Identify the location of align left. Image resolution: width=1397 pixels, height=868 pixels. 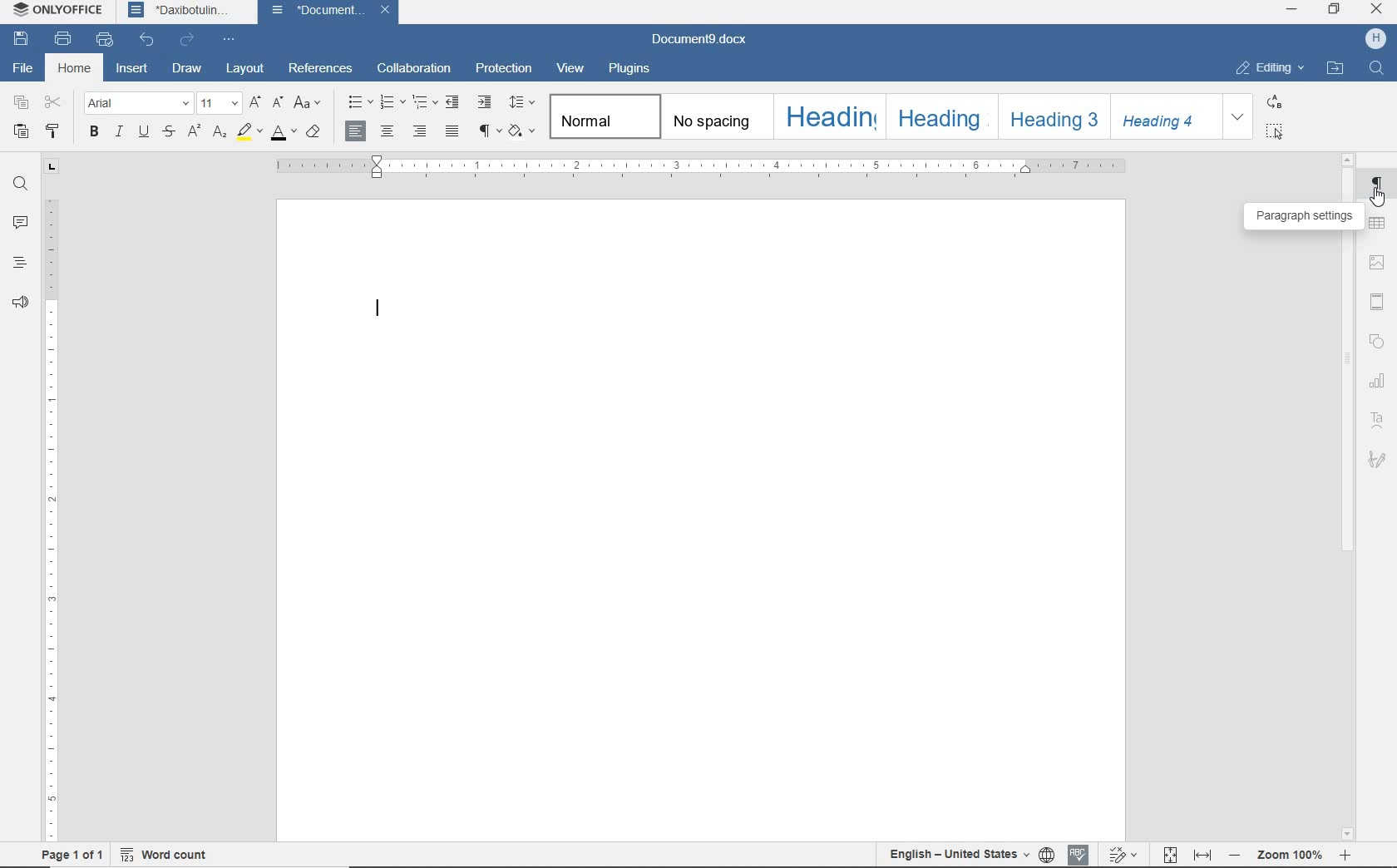
(420, 131).